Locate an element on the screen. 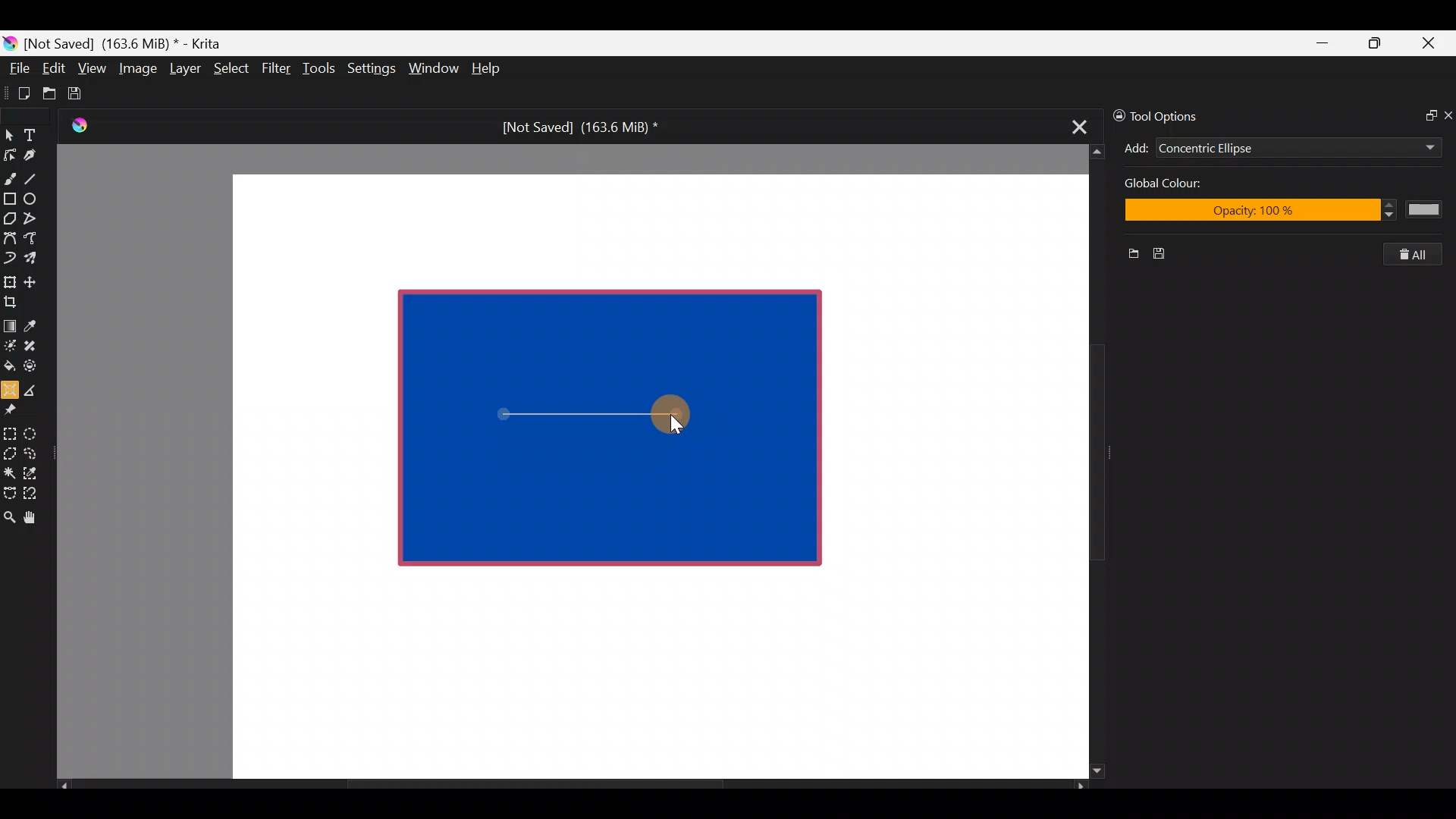 This screenshot has width=1456, height=819. Dynamic brush tool is located at coordinates (11, 258).